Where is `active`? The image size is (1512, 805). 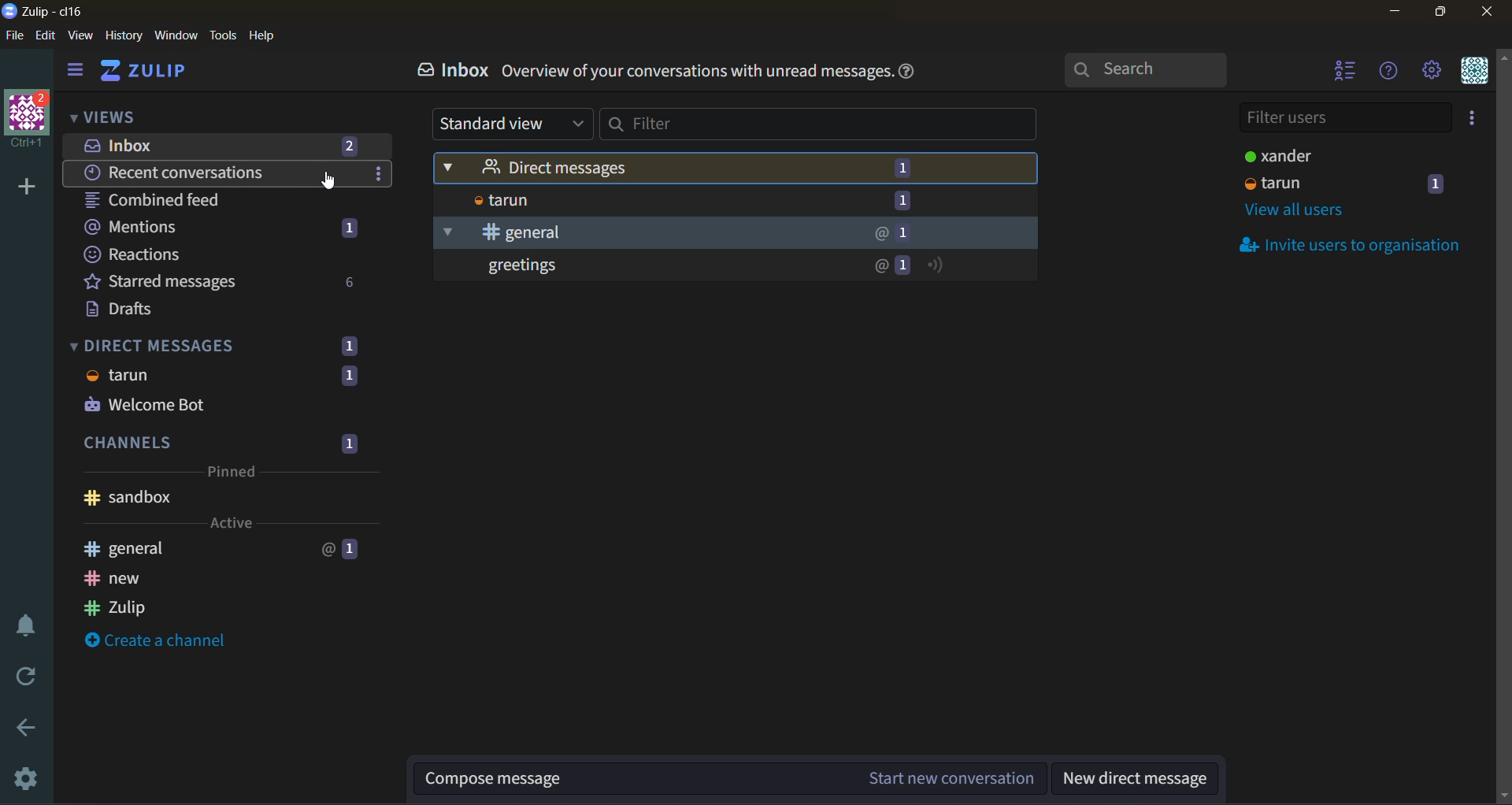
active is located at coordinates (230, 523).